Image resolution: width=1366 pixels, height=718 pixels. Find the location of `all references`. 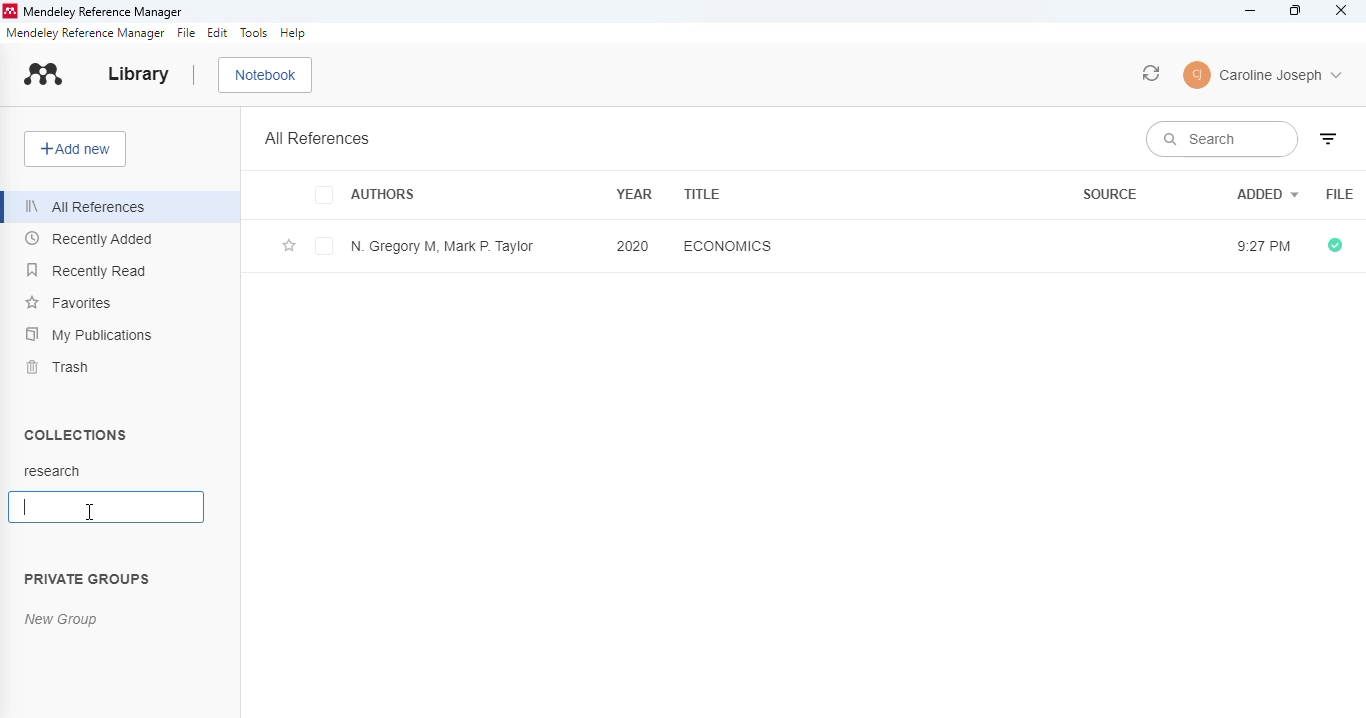

all references is located at coordinates (318, 138).